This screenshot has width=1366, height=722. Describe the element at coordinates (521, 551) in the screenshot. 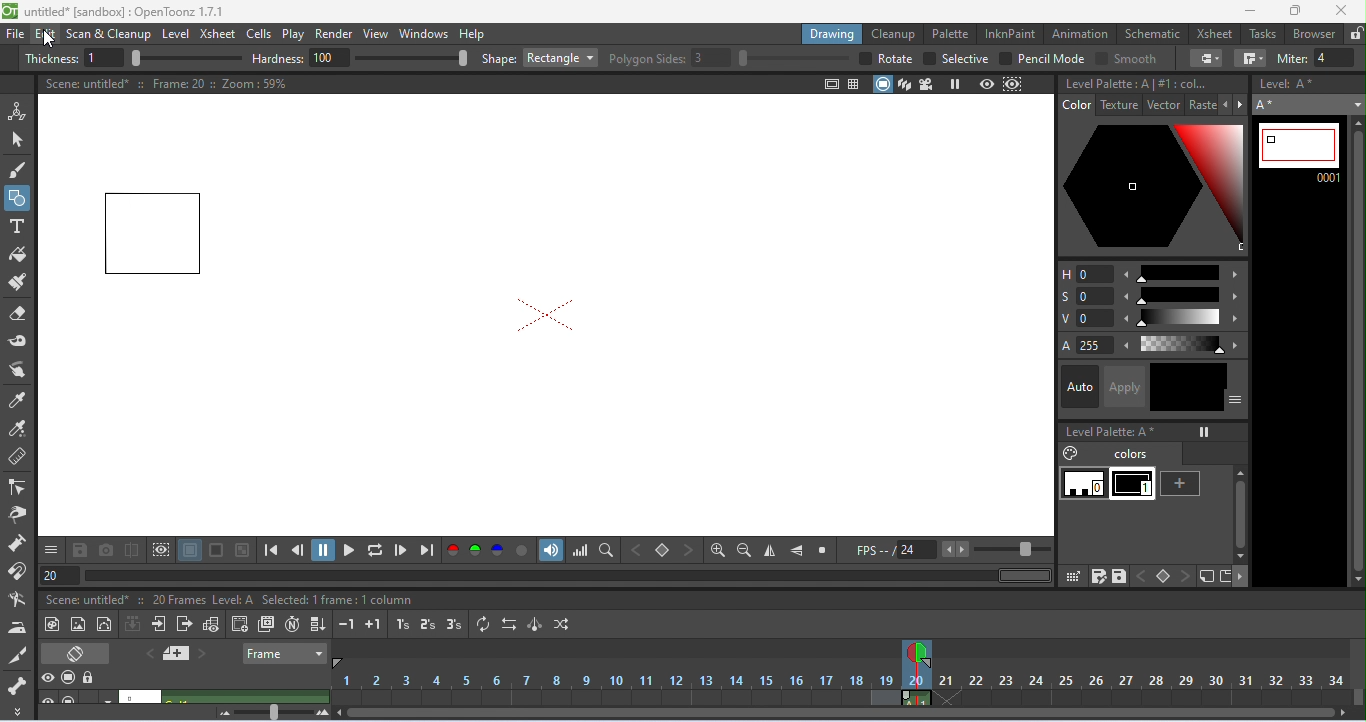

I see `alpha channel ` at that location.